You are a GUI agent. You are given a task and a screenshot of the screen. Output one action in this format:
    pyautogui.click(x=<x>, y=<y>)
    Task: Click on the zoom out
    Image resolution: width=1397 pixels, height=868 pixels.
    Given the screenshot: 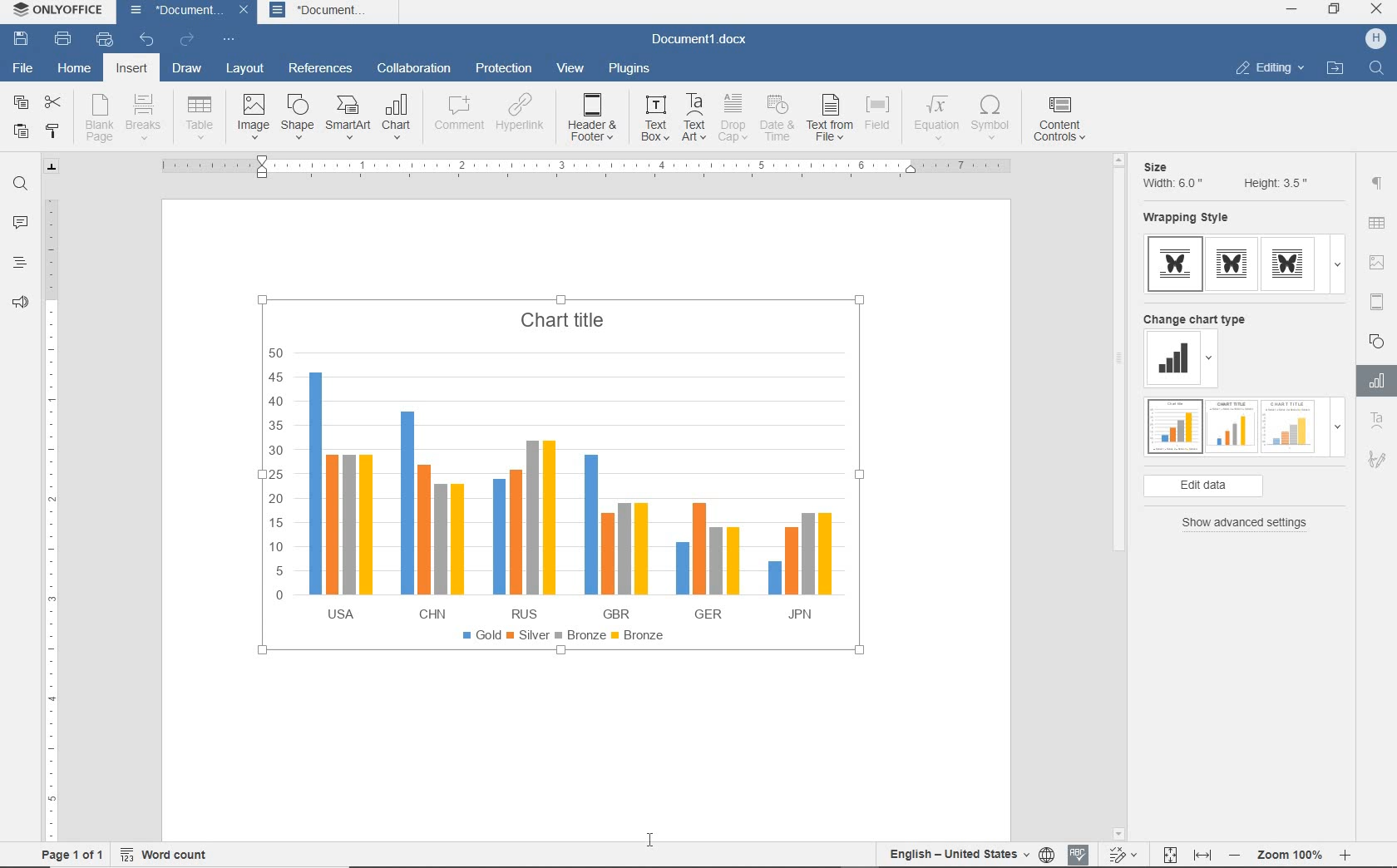 What is the action you would take?
    pyautogui.click(x=1237, y=855)
    